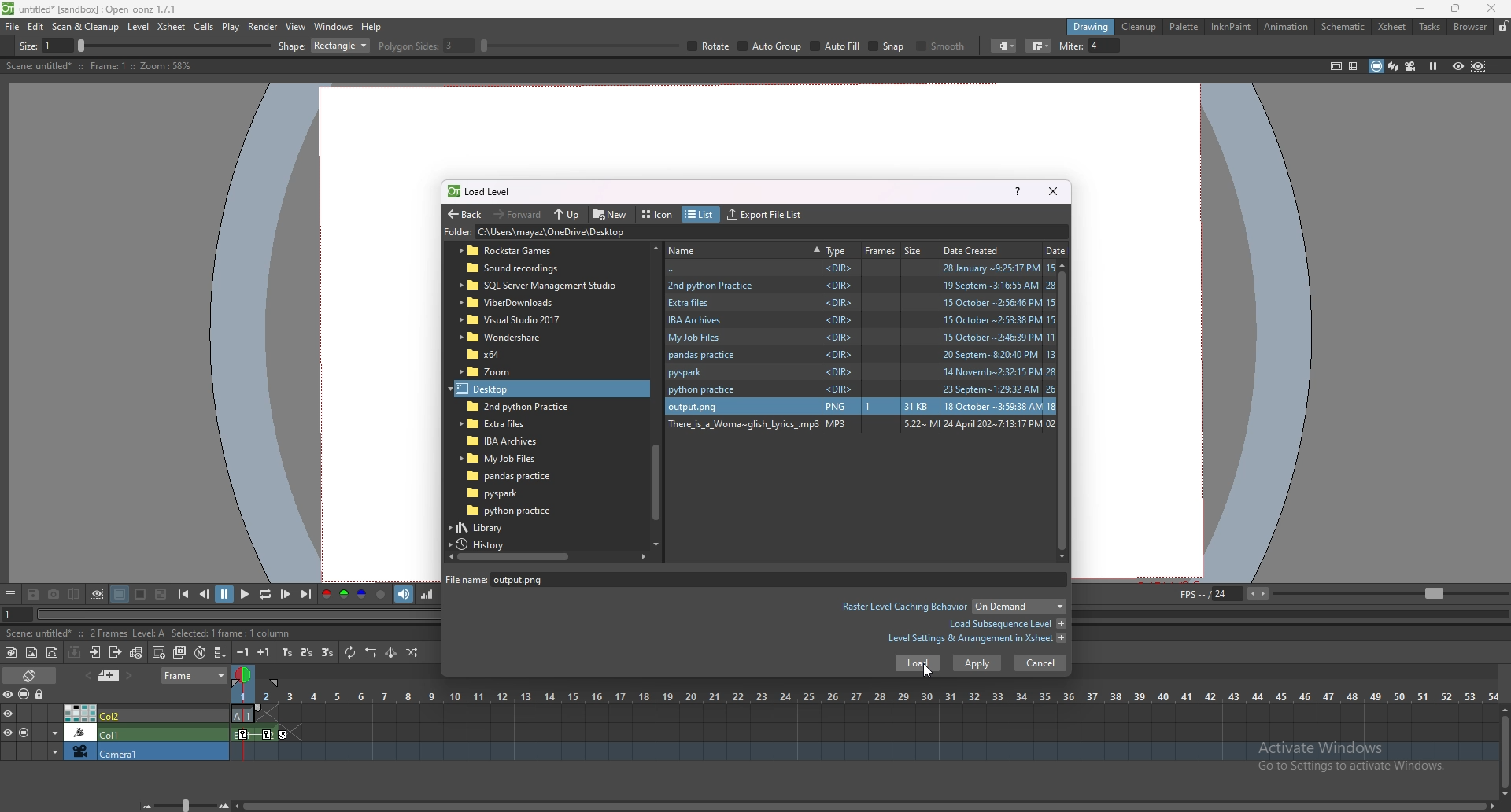 This screenshot has height=812, width=1511. Describe the element at coordinates (115, 732) in the screenshot. I see `column 1` at that location.